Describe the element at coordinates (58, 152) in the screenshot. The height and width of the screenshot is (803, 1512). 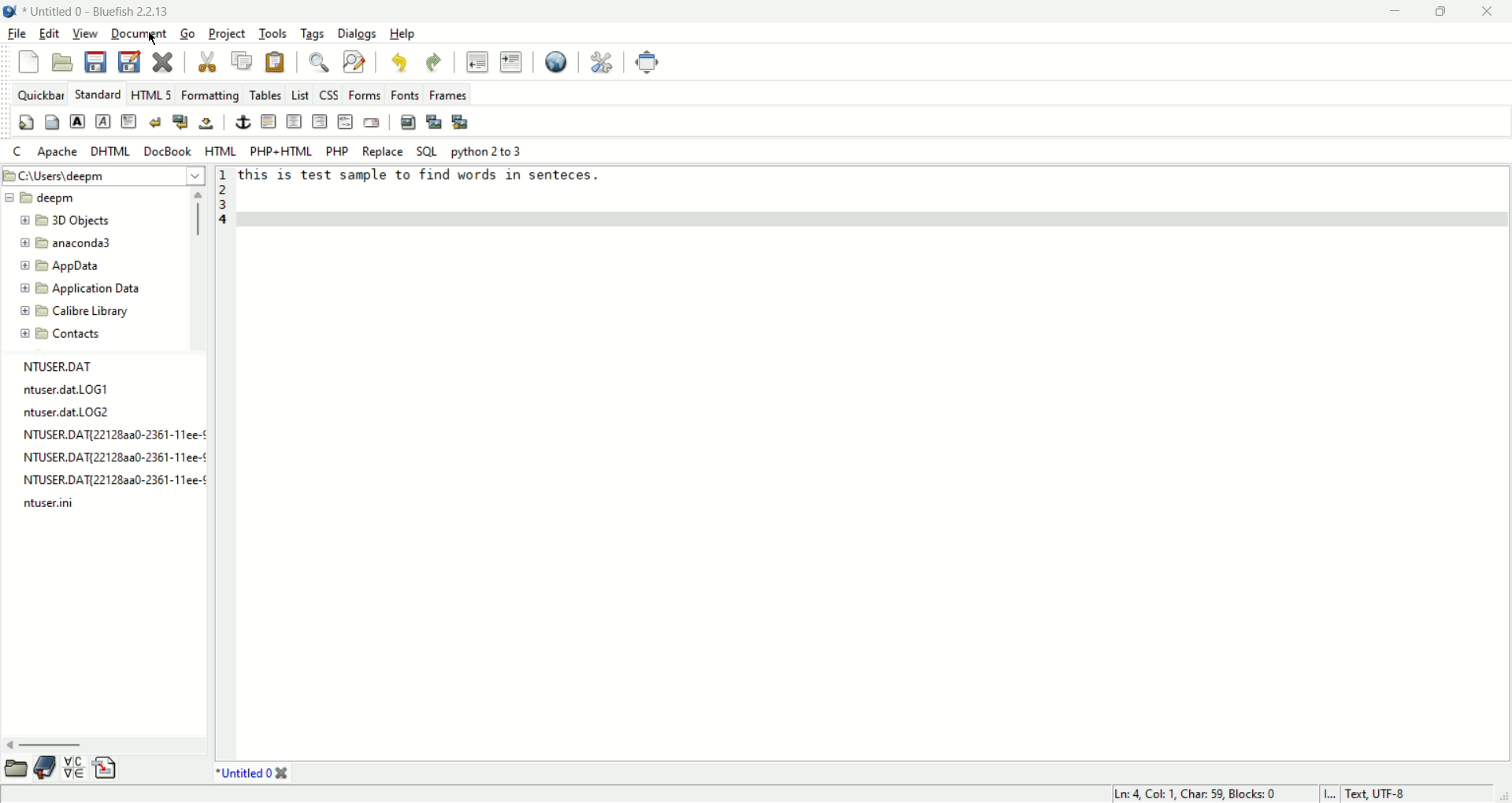
I see `apache` at that location.